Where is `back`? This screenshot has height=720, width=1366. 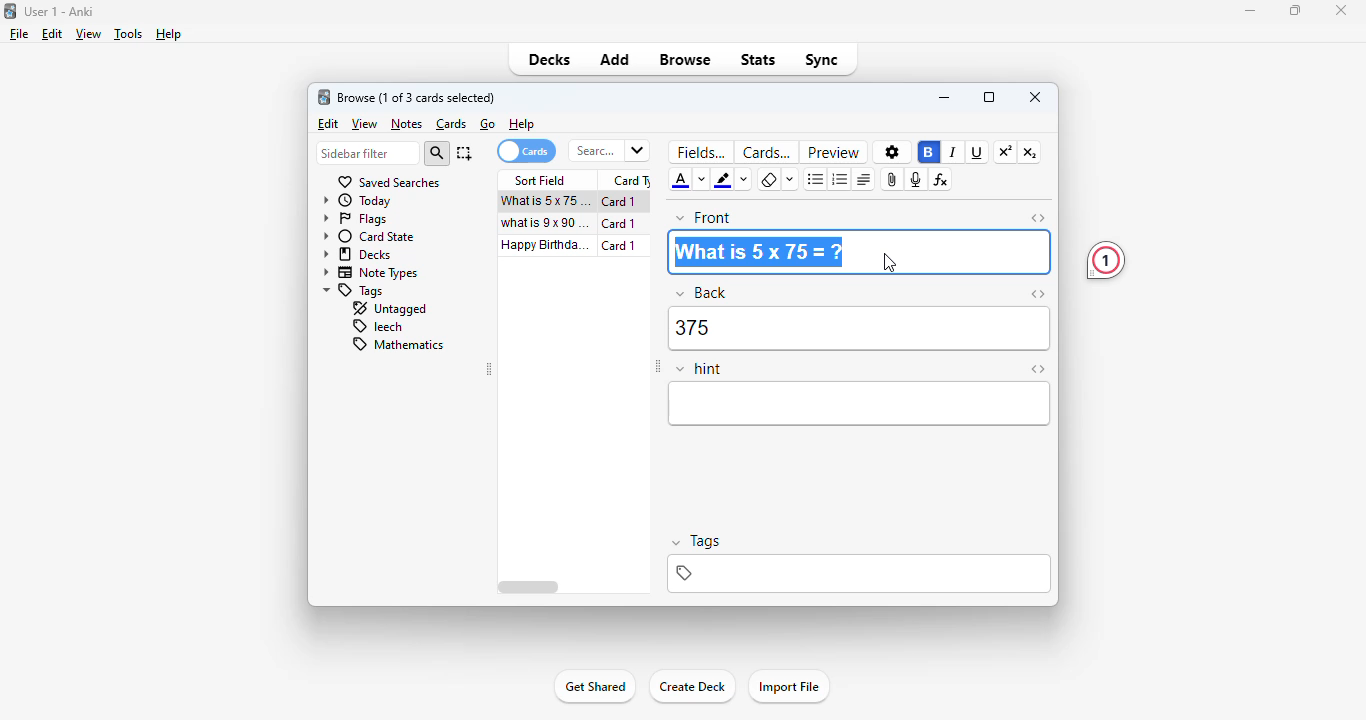 back is located at coordinates (702, 293).